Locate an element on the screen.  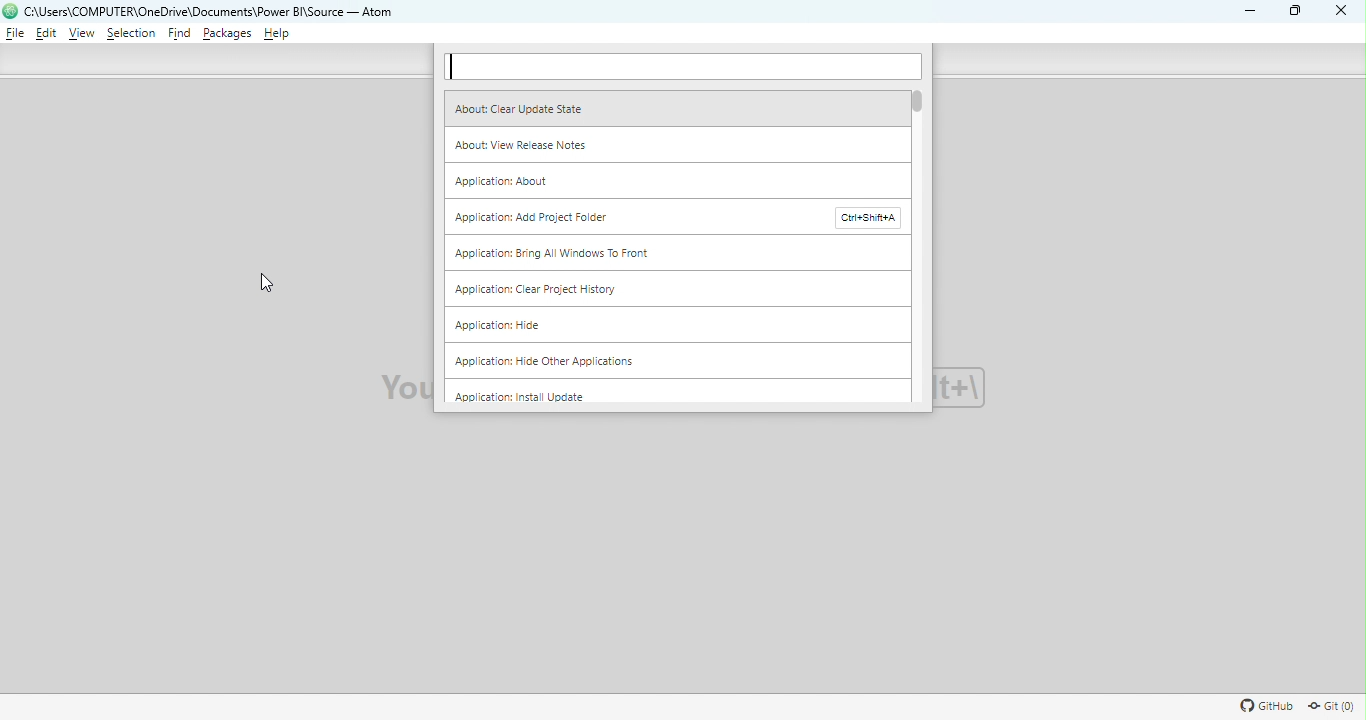
Application: About is located at coordinates (677, 180).